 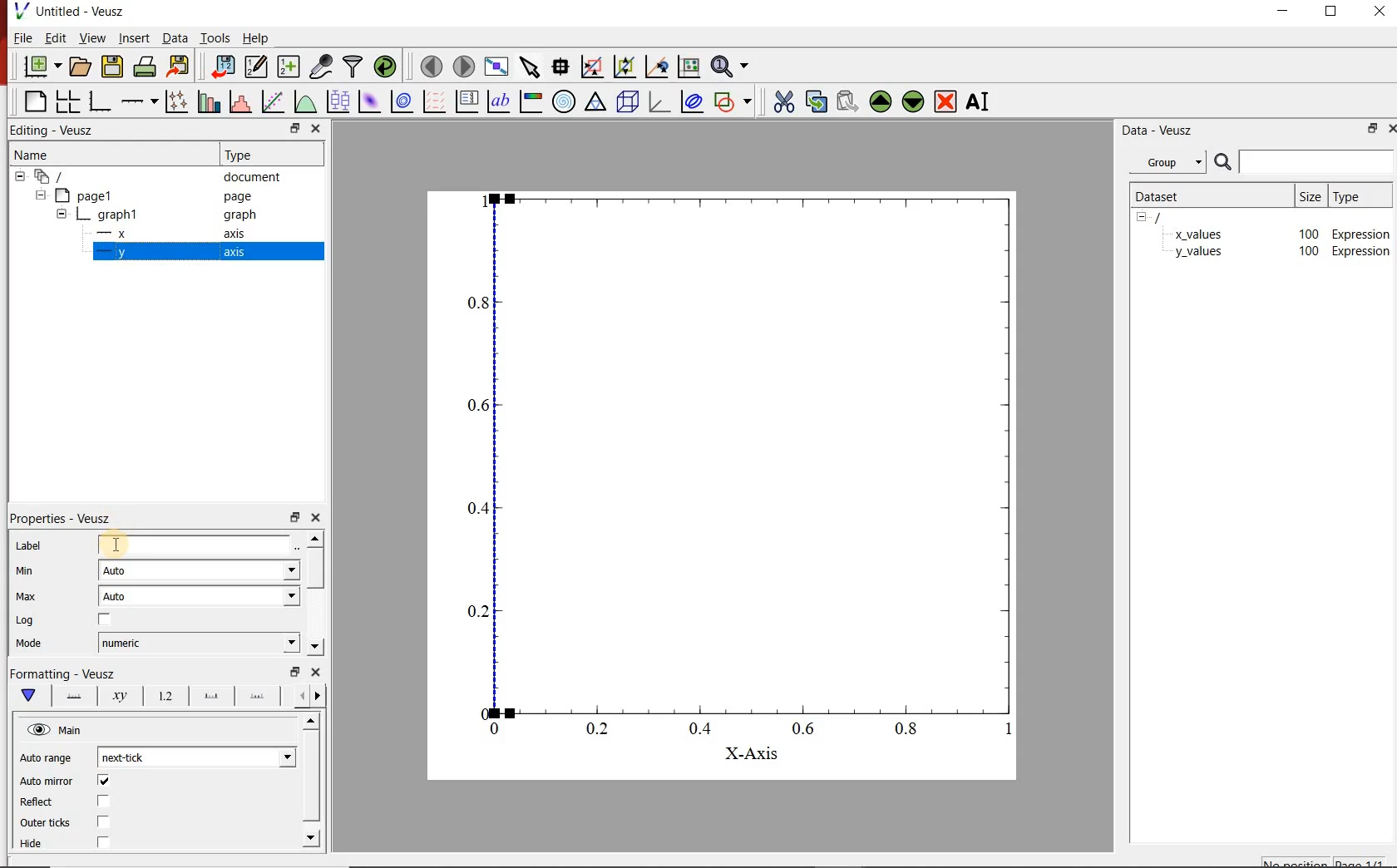 What do you see at coordinates (175, 102) in the screenshot?
I see `plot points` at bounding box center [175, 102].